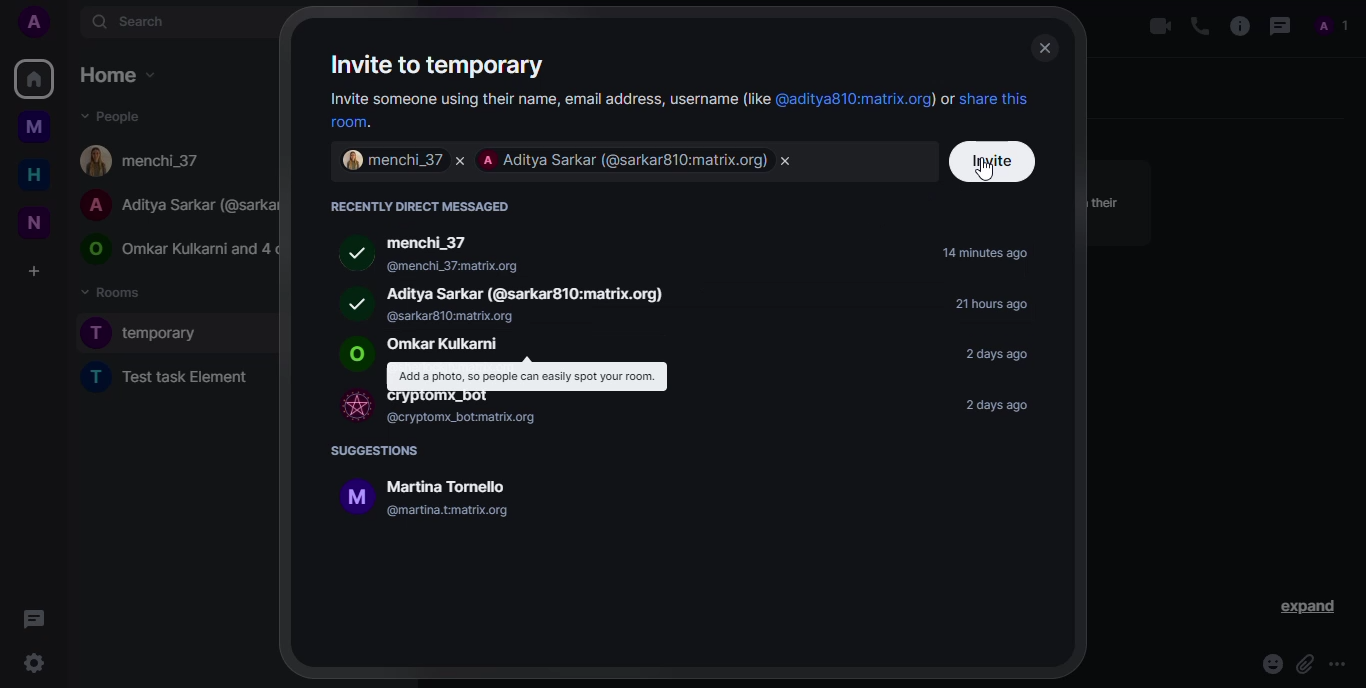 This screenshot has width=1366, height=688. What do you see at coordinates (110, 115) in the screenshot?
I see `people` at bounding box center [110, 115].